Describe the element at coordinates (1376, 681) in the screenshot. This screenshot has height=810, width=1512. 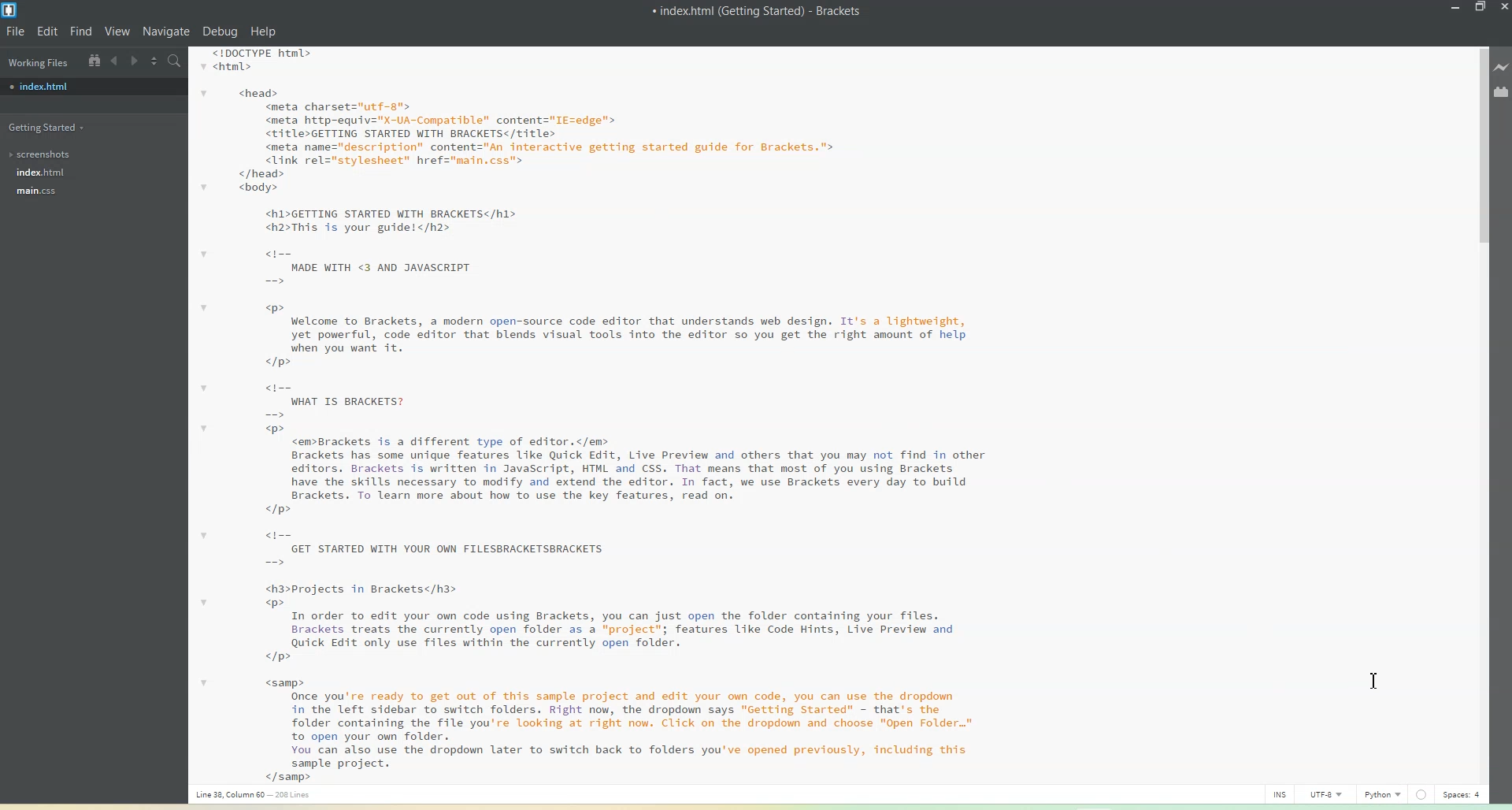
I see `Text Cursor` at that location.